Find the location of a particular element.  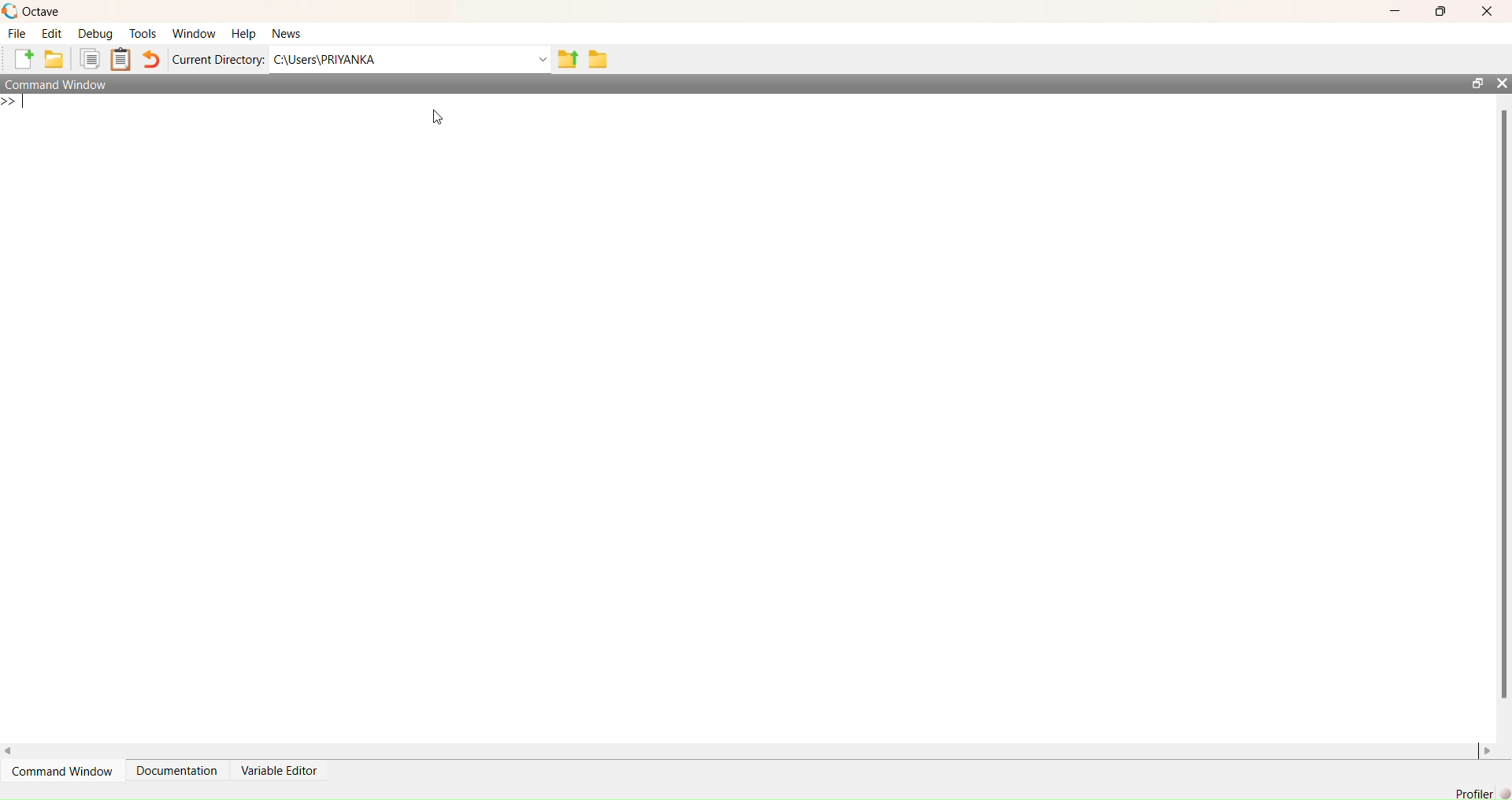

documentation is located at coordinates (179, 770).